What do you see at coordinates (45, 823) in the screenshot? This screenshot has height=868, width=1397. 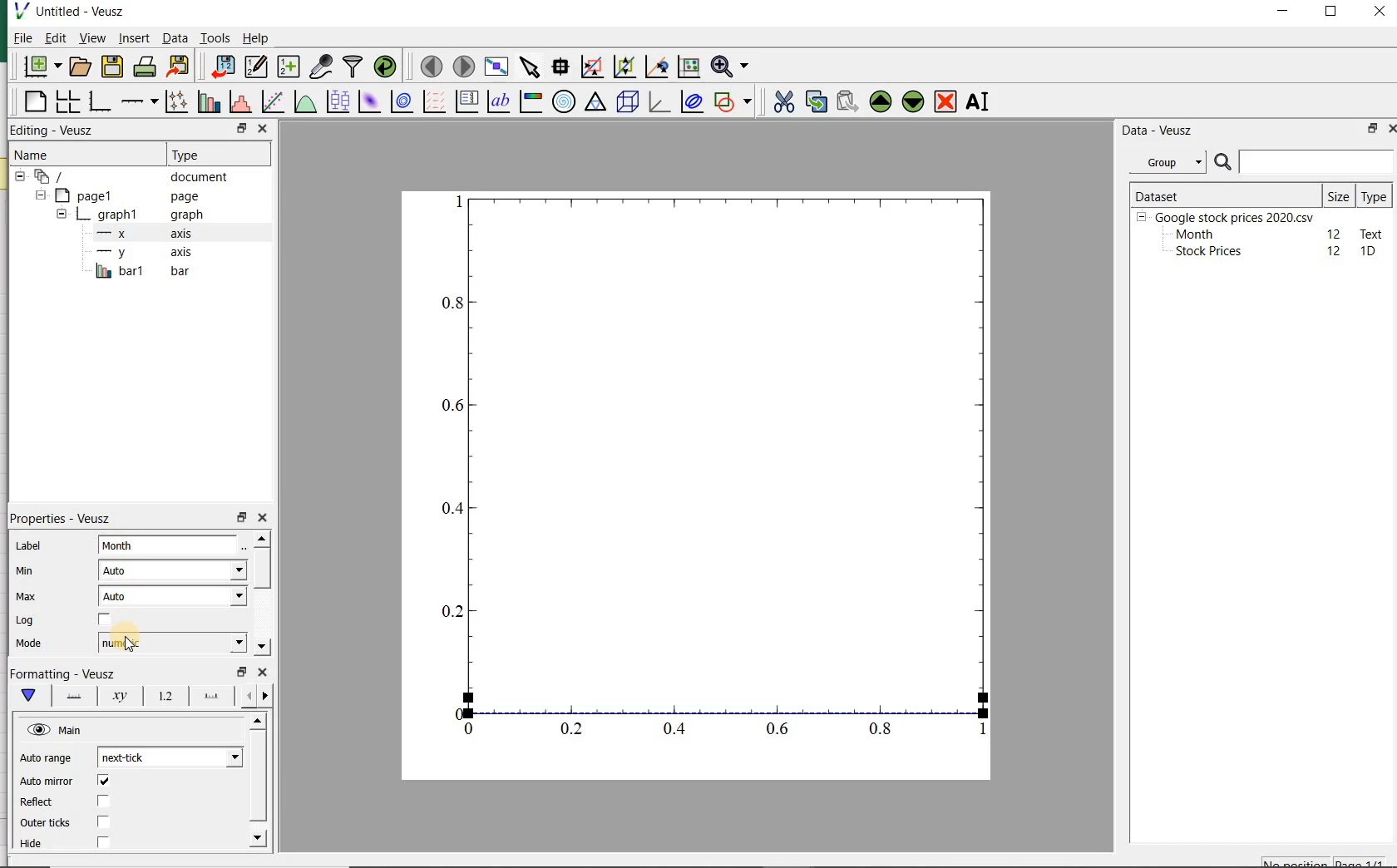 I see `Outer ticks` at bounding box center [45, 823].